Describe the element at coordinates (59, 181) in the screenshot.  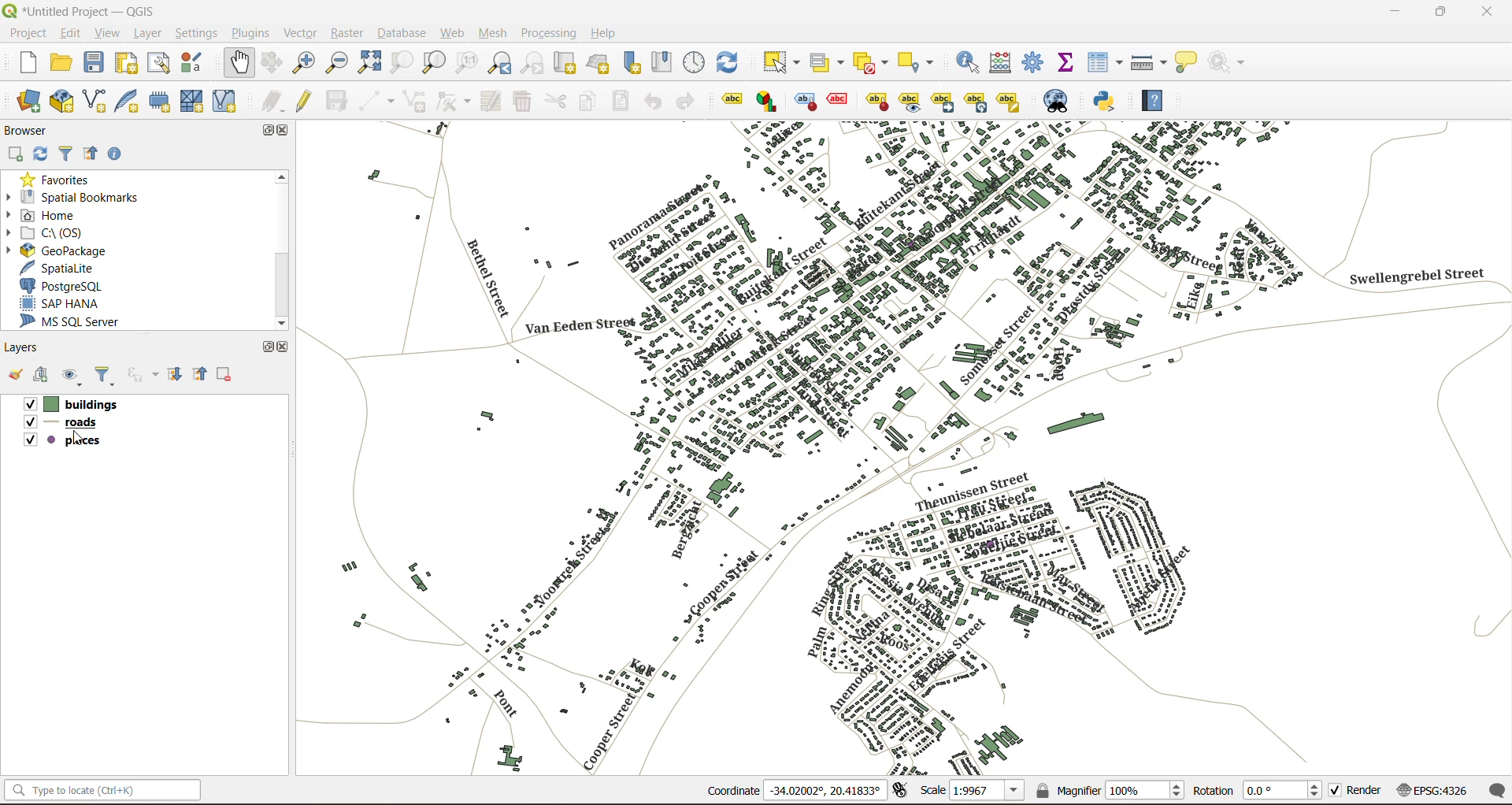
I see `favorites` at that location.